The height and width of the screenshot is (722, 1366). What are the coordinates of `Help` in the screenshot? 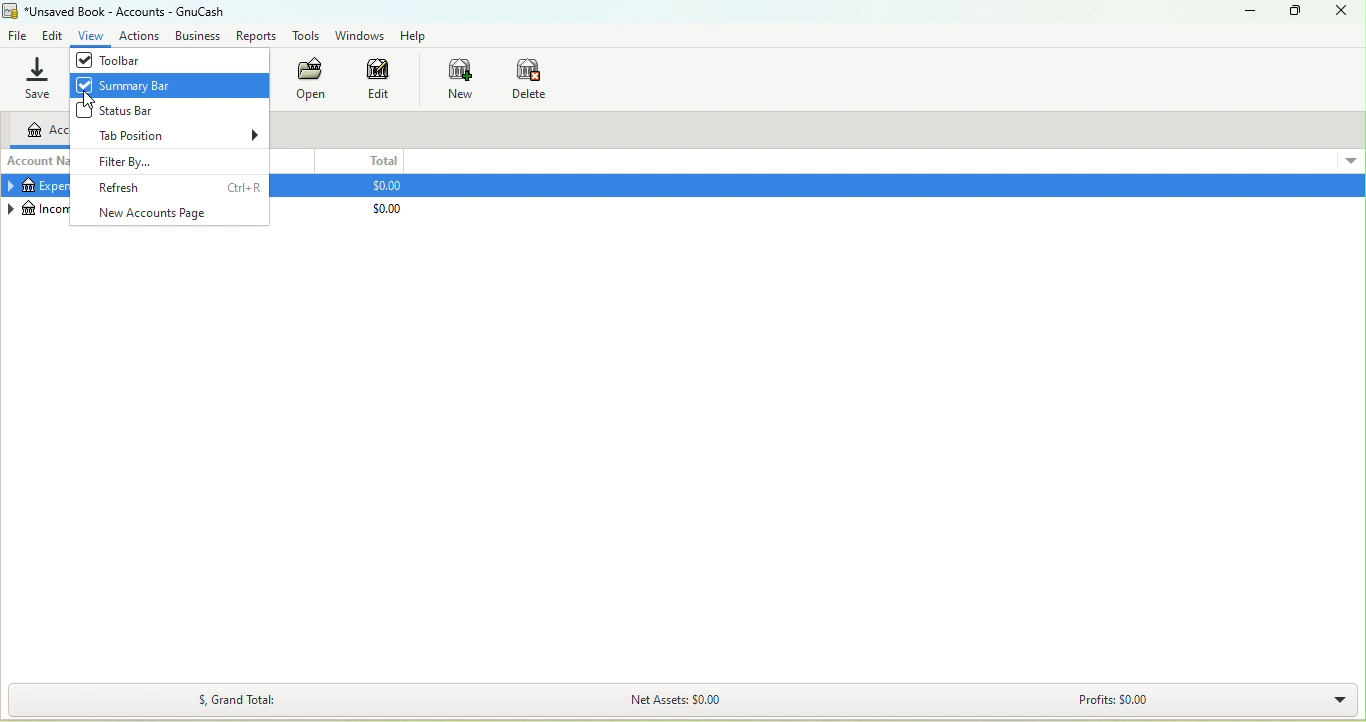 It's located at (415, 36).